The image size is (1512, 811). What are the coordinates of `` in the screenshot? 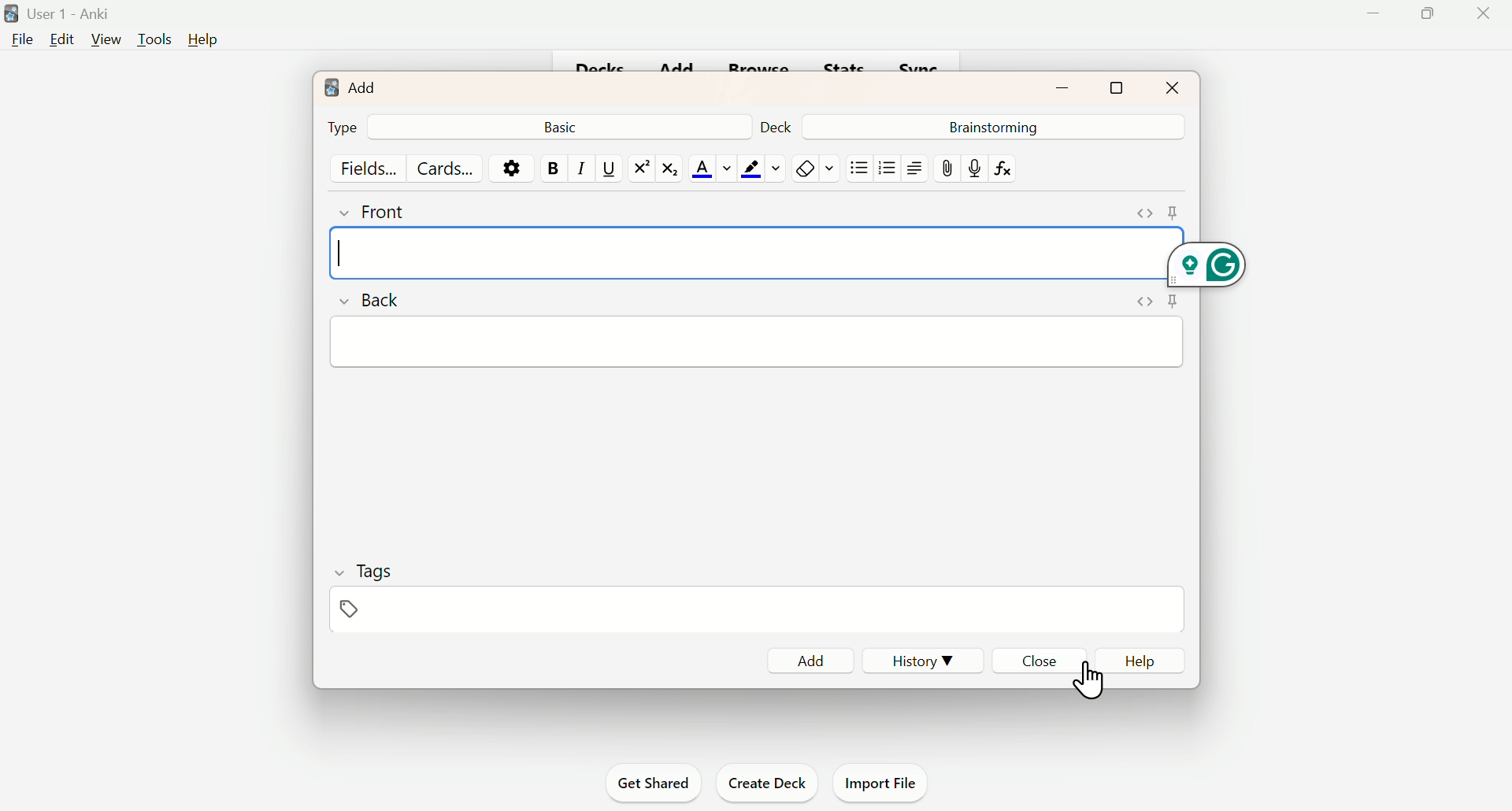 It's located at (642, 167).